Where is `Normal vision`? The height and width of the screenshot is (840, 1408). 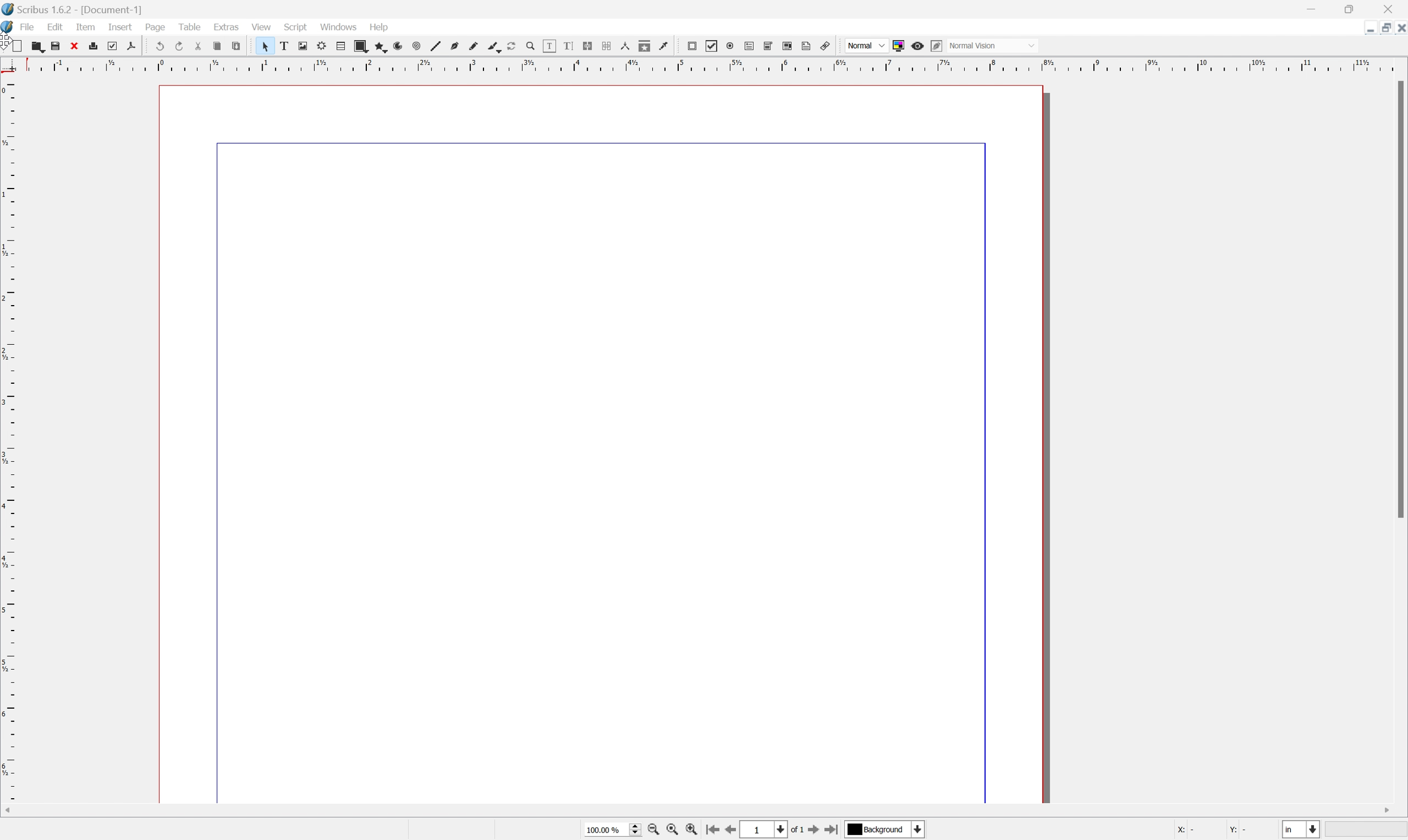 Normal vision is located at coordinates (998, 45).